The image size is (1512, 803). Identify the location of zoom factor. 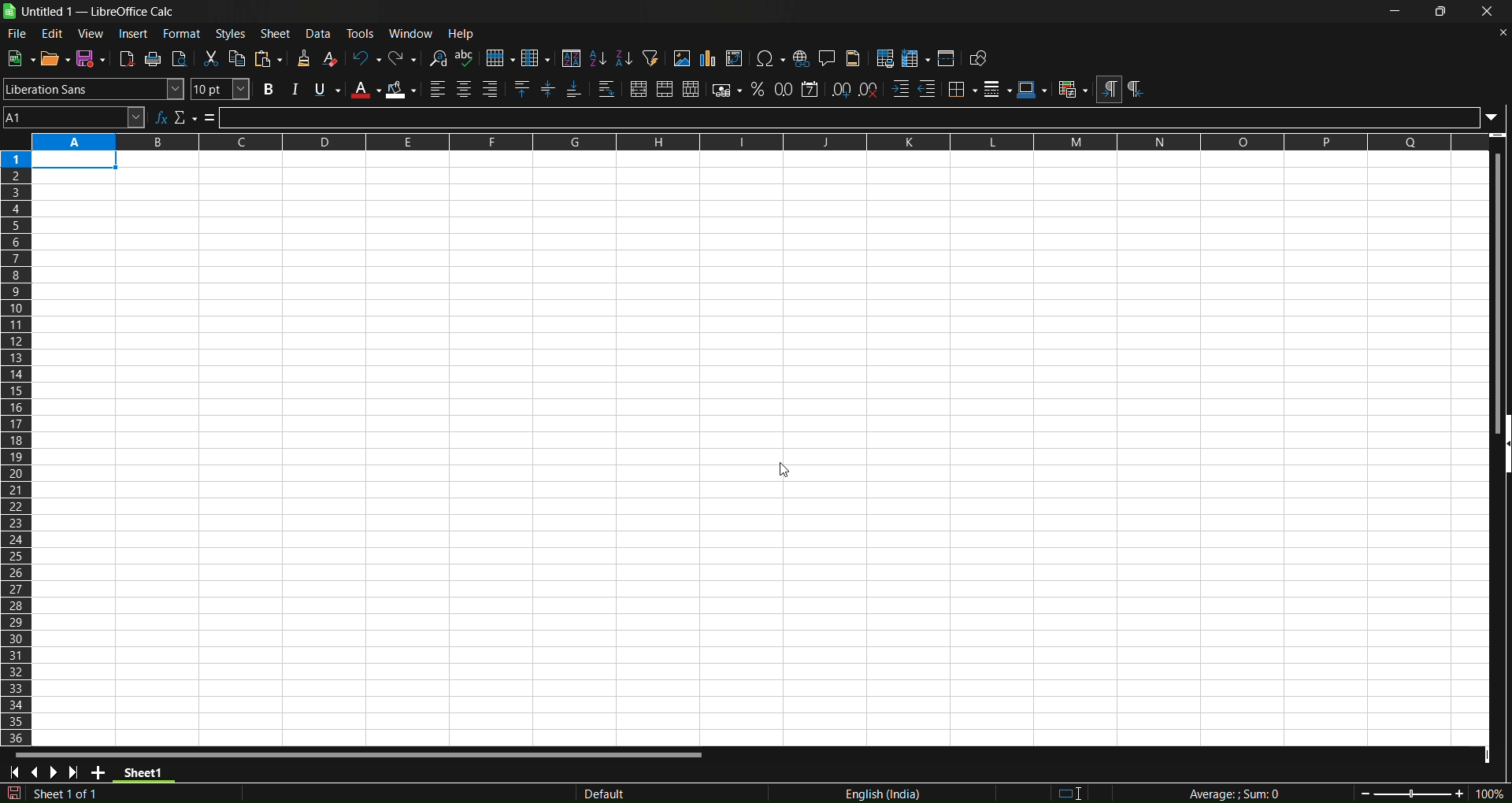
(1411, 793).